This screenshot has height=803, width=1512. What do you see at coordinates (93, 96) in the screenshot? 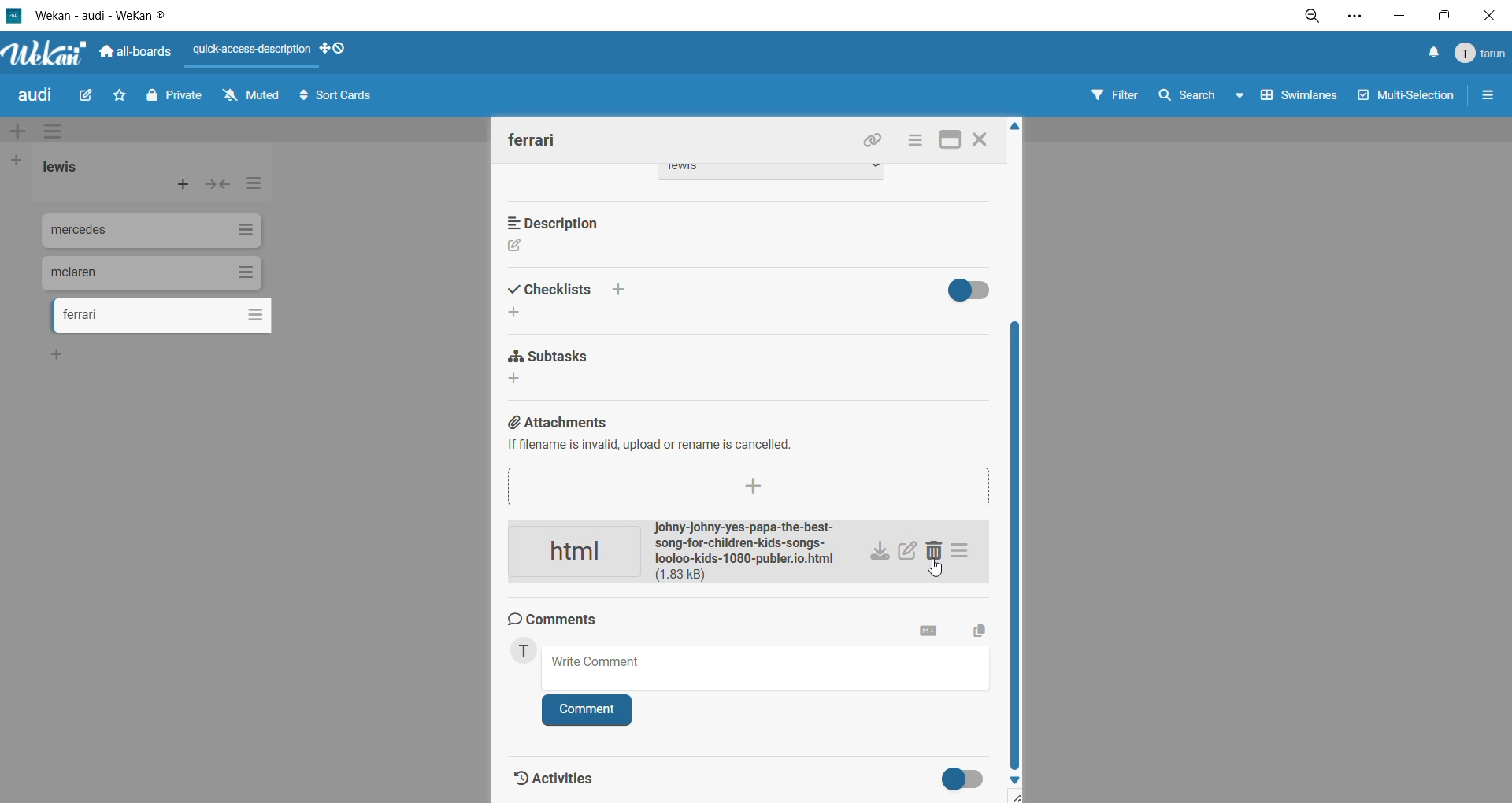
I see `edit` at bounding box center [93, 96].